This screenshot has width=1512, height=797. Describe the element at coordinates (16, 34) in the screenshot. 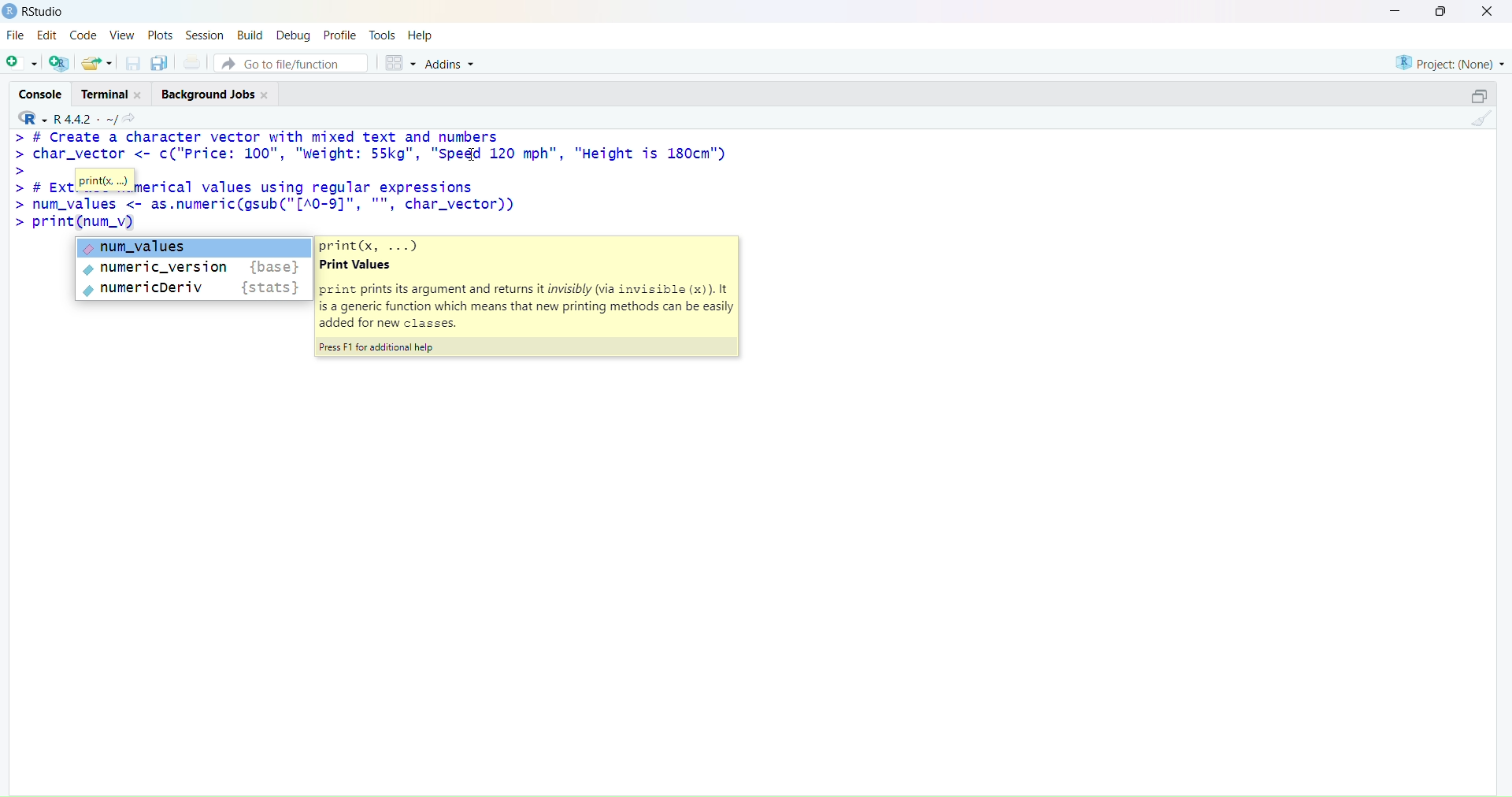

I see `file` at that location.